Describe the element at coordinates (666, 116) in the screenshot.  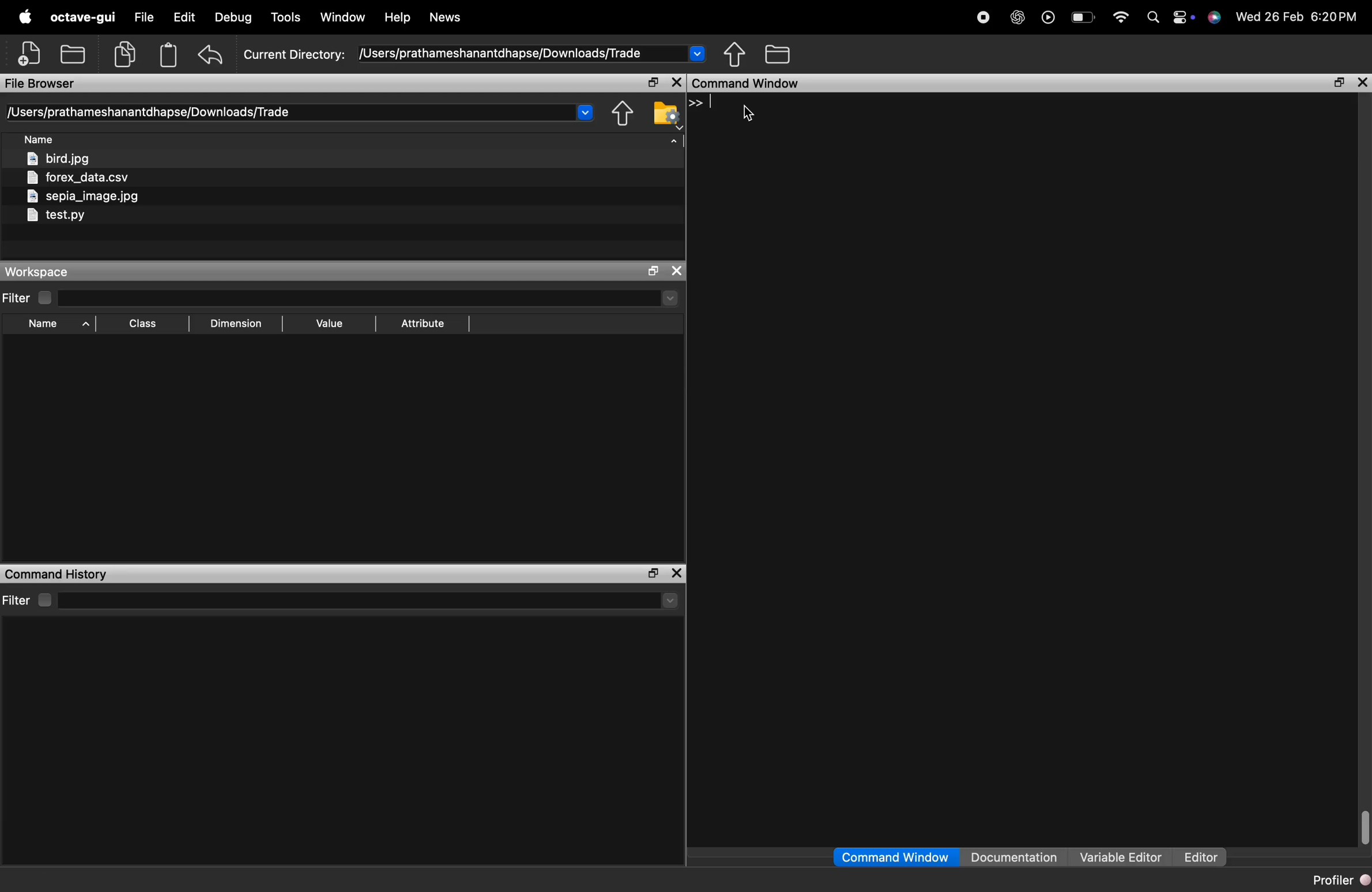
I see `Folder settings` at that location.